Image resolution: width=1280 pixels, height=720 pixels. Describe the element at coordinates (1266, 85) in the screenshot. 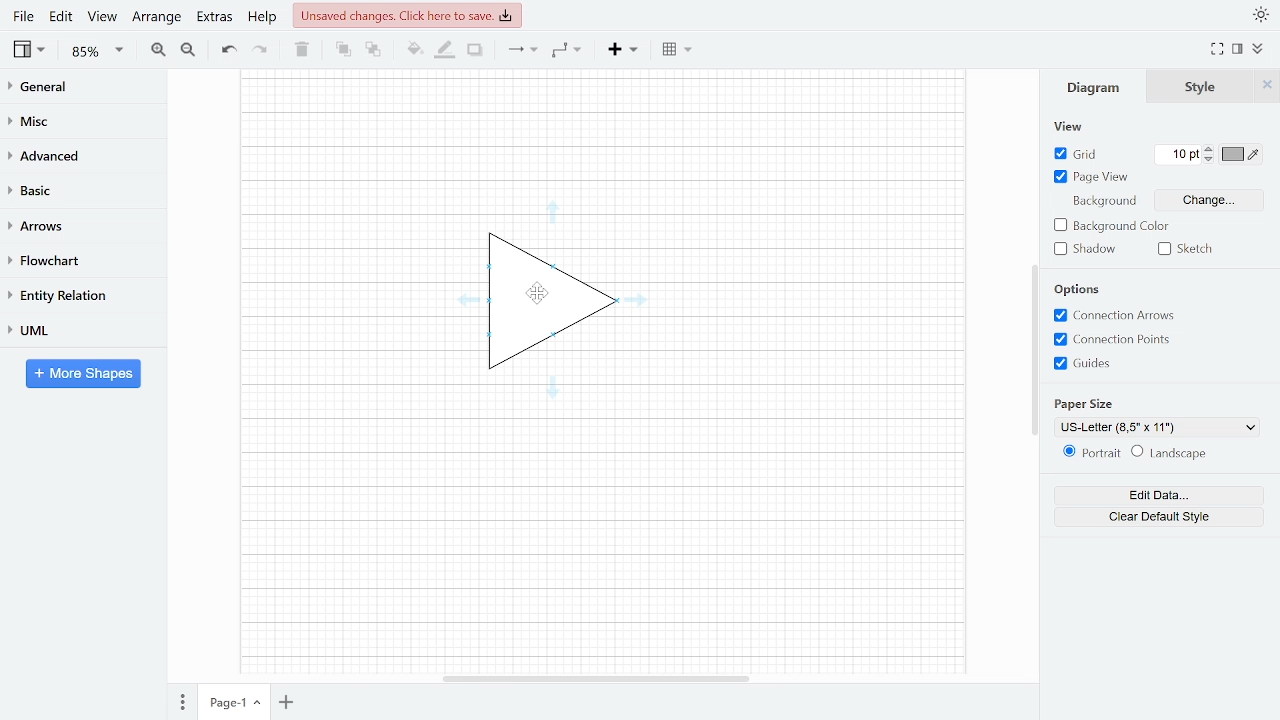

I see `CLose` at that location.